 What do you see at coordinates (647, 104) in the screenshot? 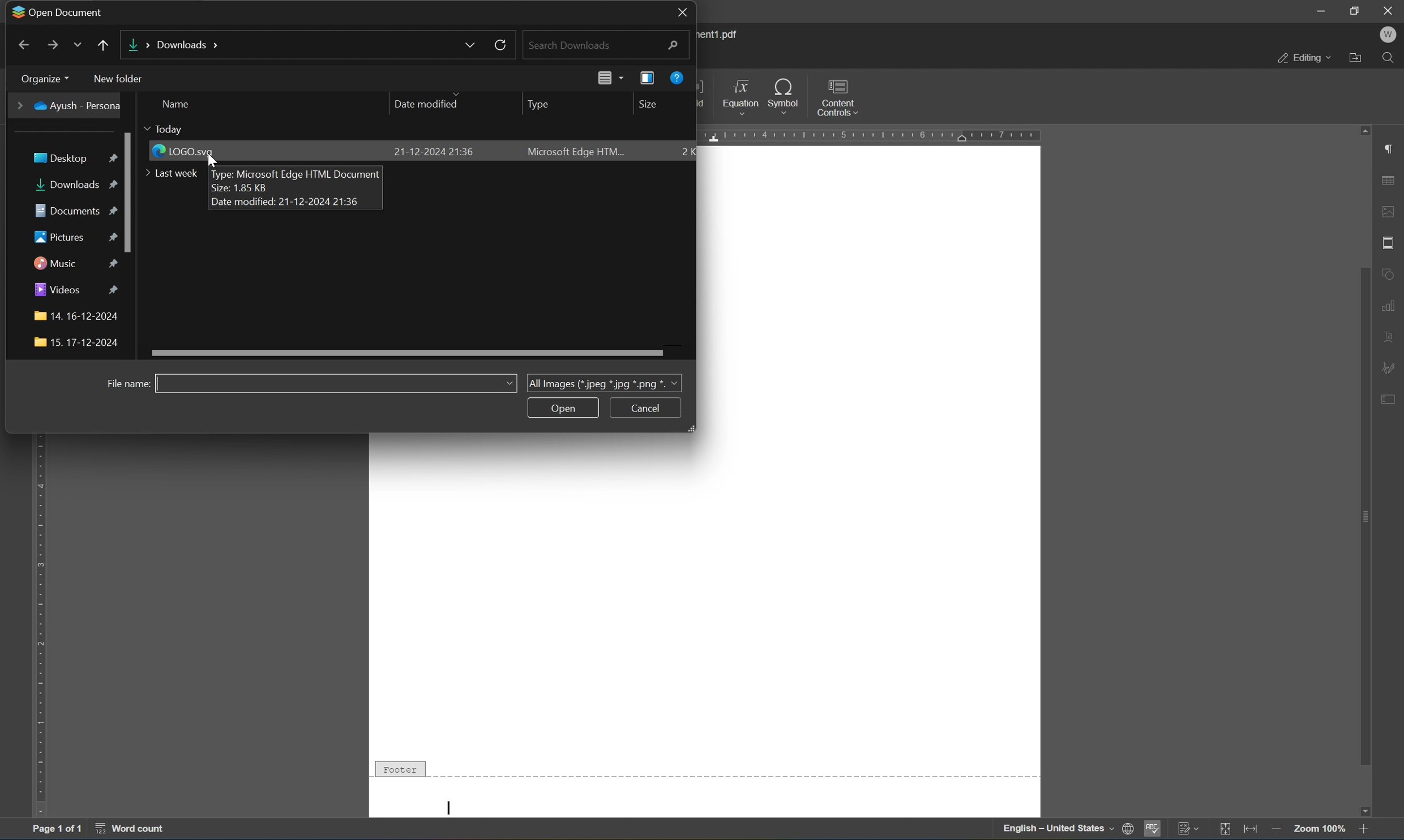
I see `size` at bounding box center [647, 104].